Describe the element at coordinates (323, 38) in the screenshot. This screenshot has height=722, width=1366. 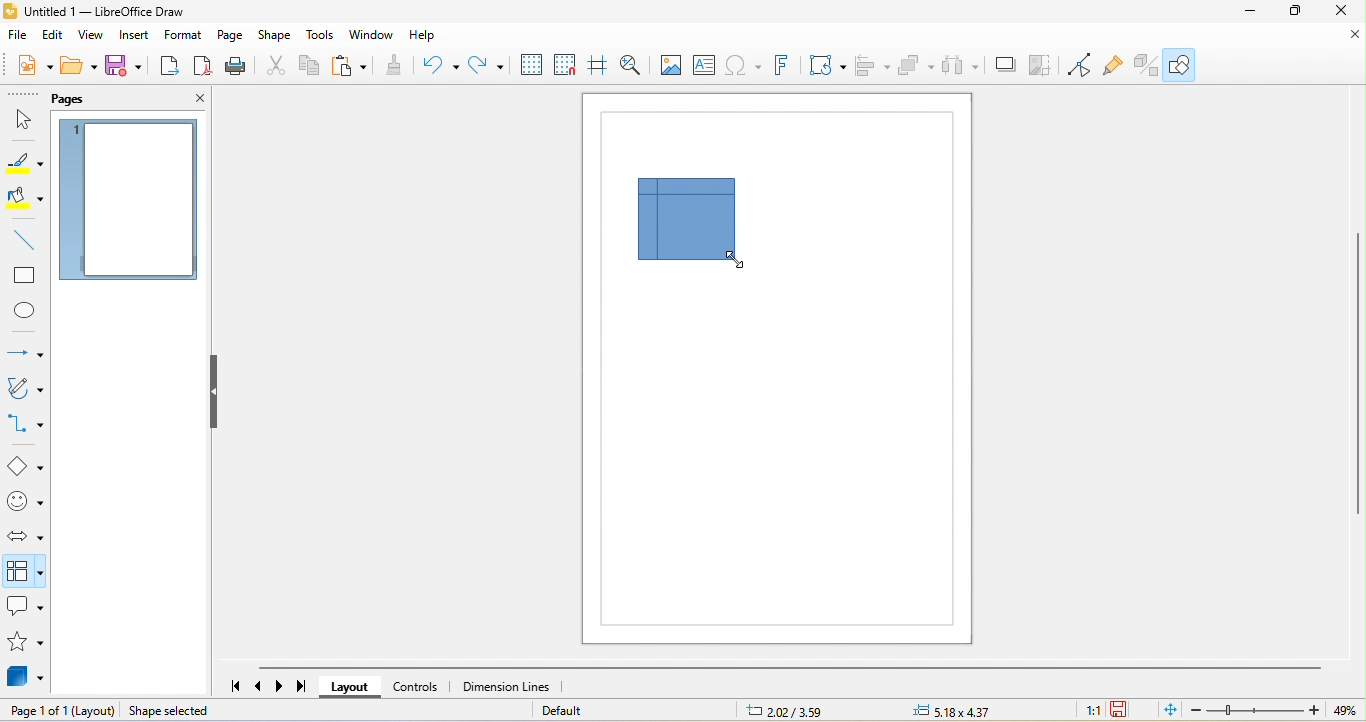
I see `tools` at that location.